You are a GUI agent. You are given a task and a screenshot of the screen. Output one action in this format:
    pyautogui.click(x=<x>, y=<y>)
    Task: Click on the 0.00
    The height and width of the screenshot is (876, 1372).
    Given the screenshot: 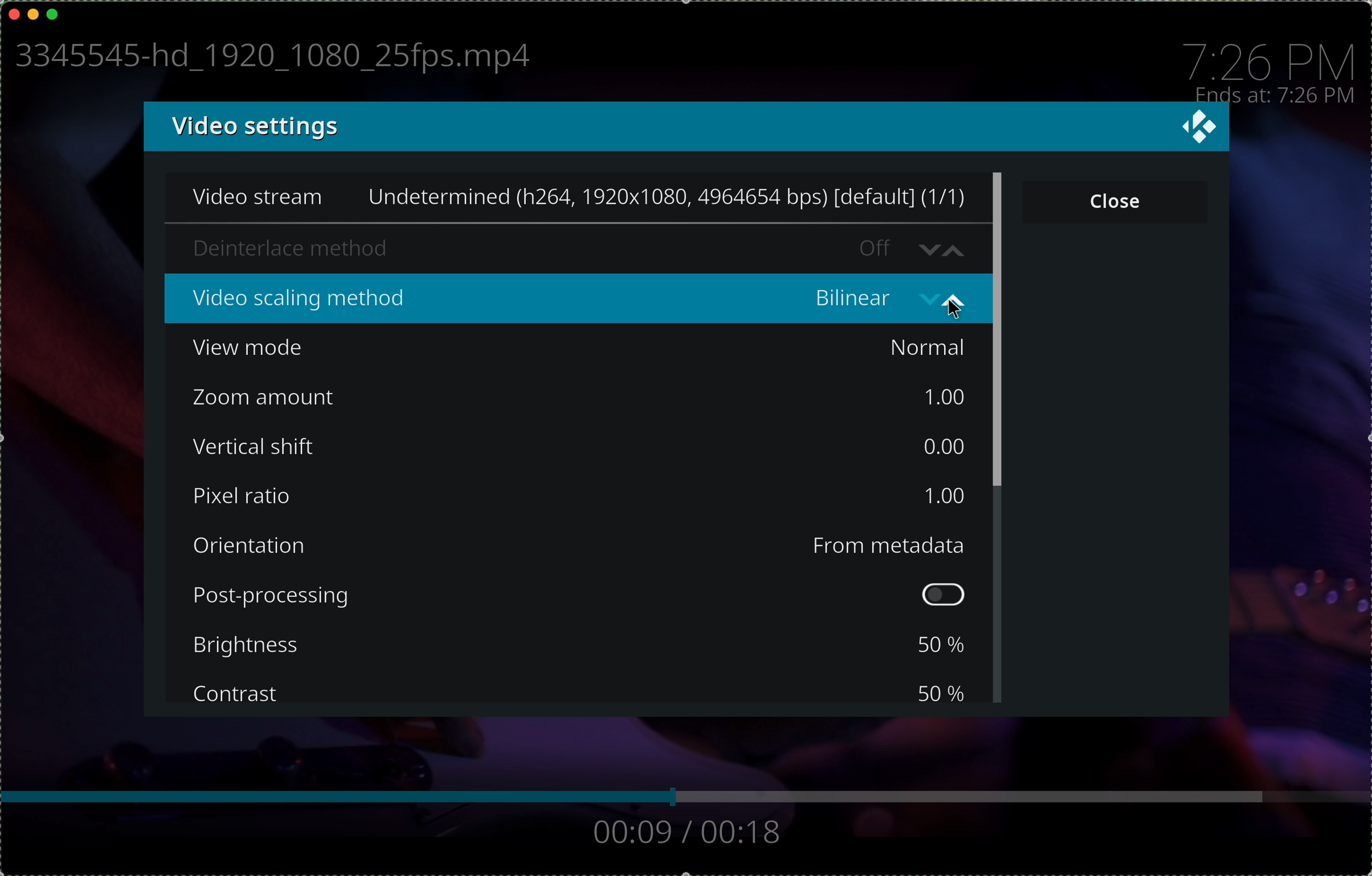 What is the action you would take?
    pyautogui.click(x=943, y=444)
    